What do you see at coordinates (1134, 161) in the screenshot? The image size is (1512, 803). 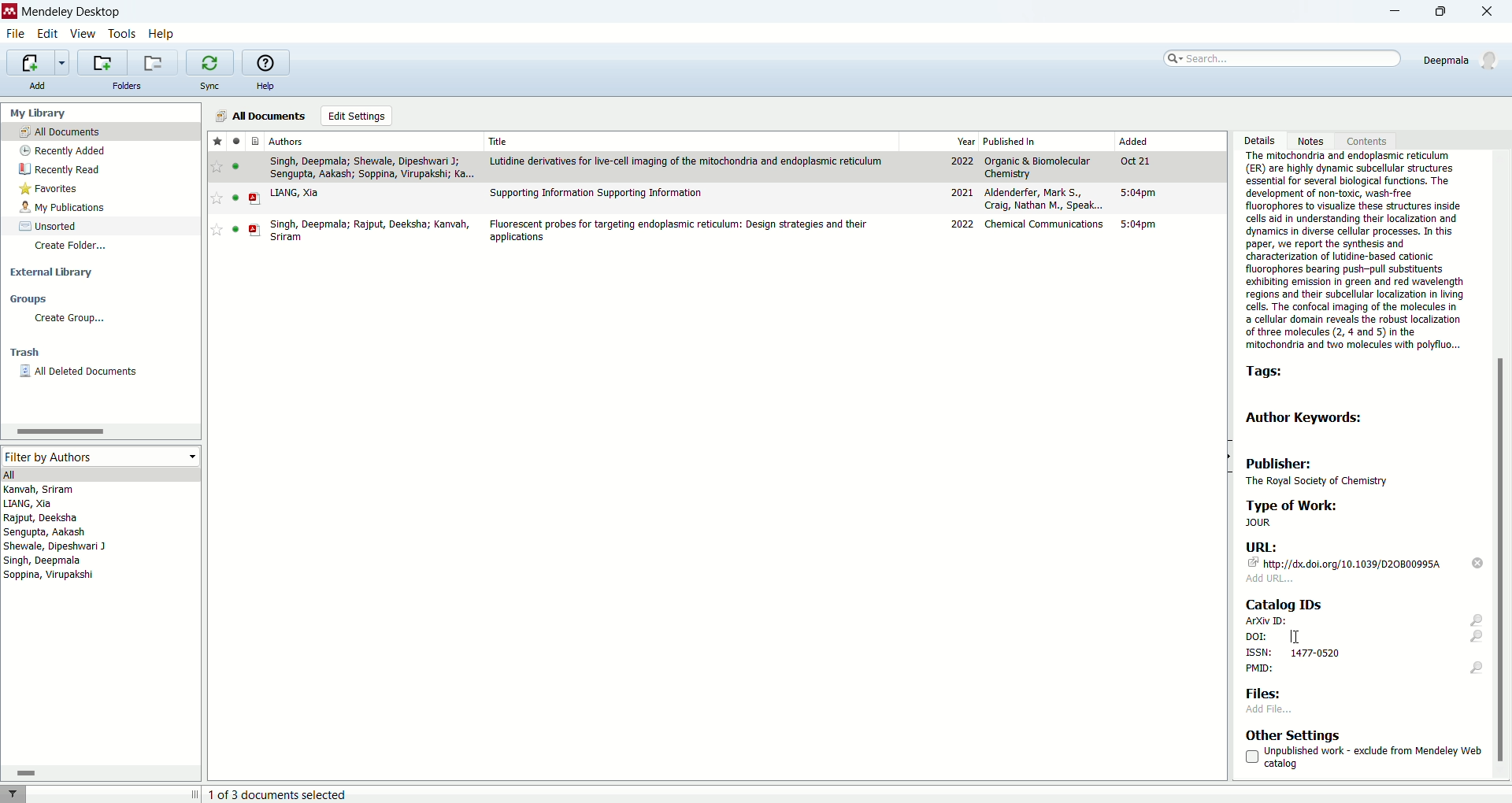 I see `Oct 21` at bounding box center [1134, 161].